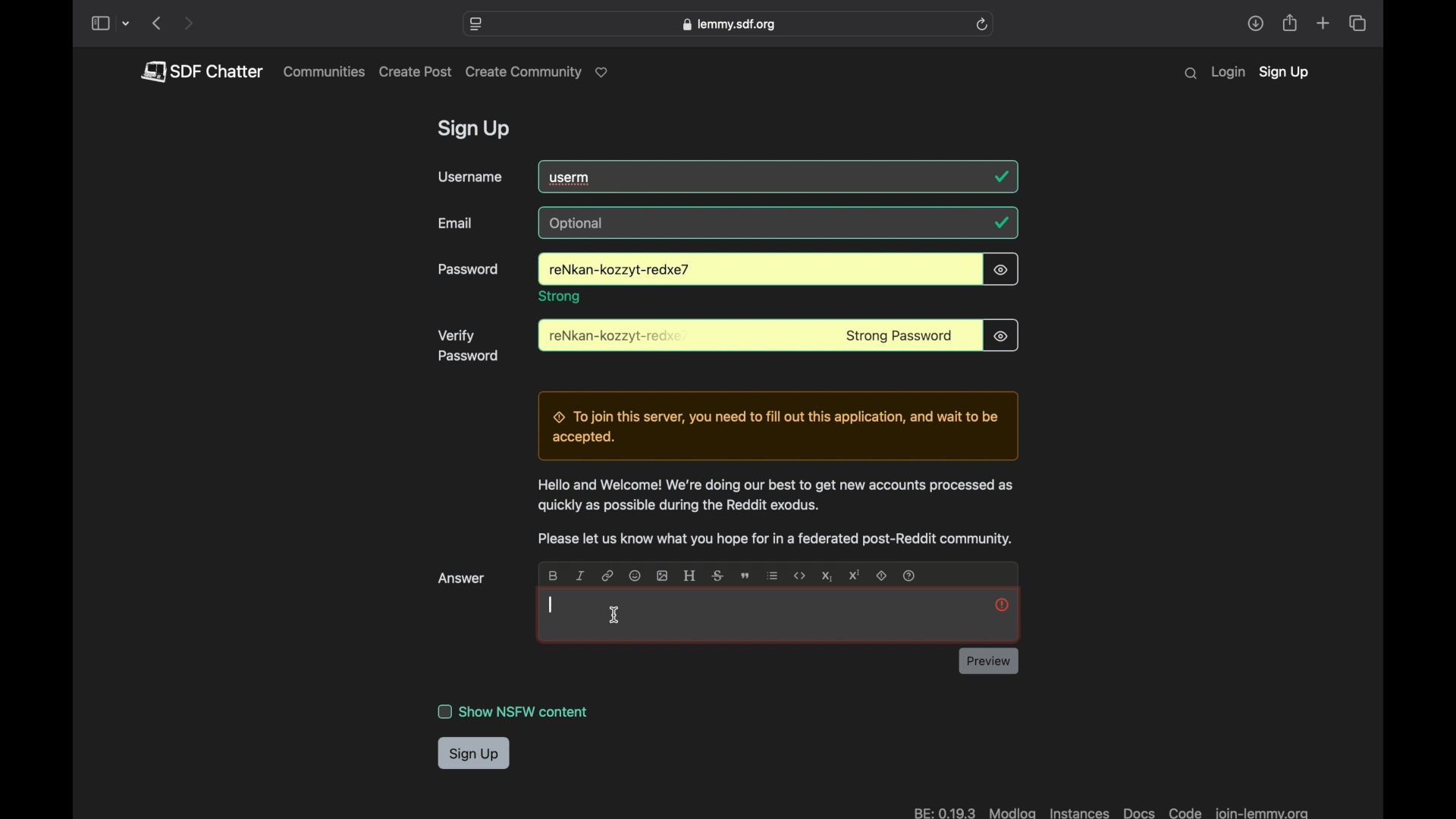  What do you see at coordinates (469, 346) in the screenshot?
I see `verify password` at bounding box center [469, 346].